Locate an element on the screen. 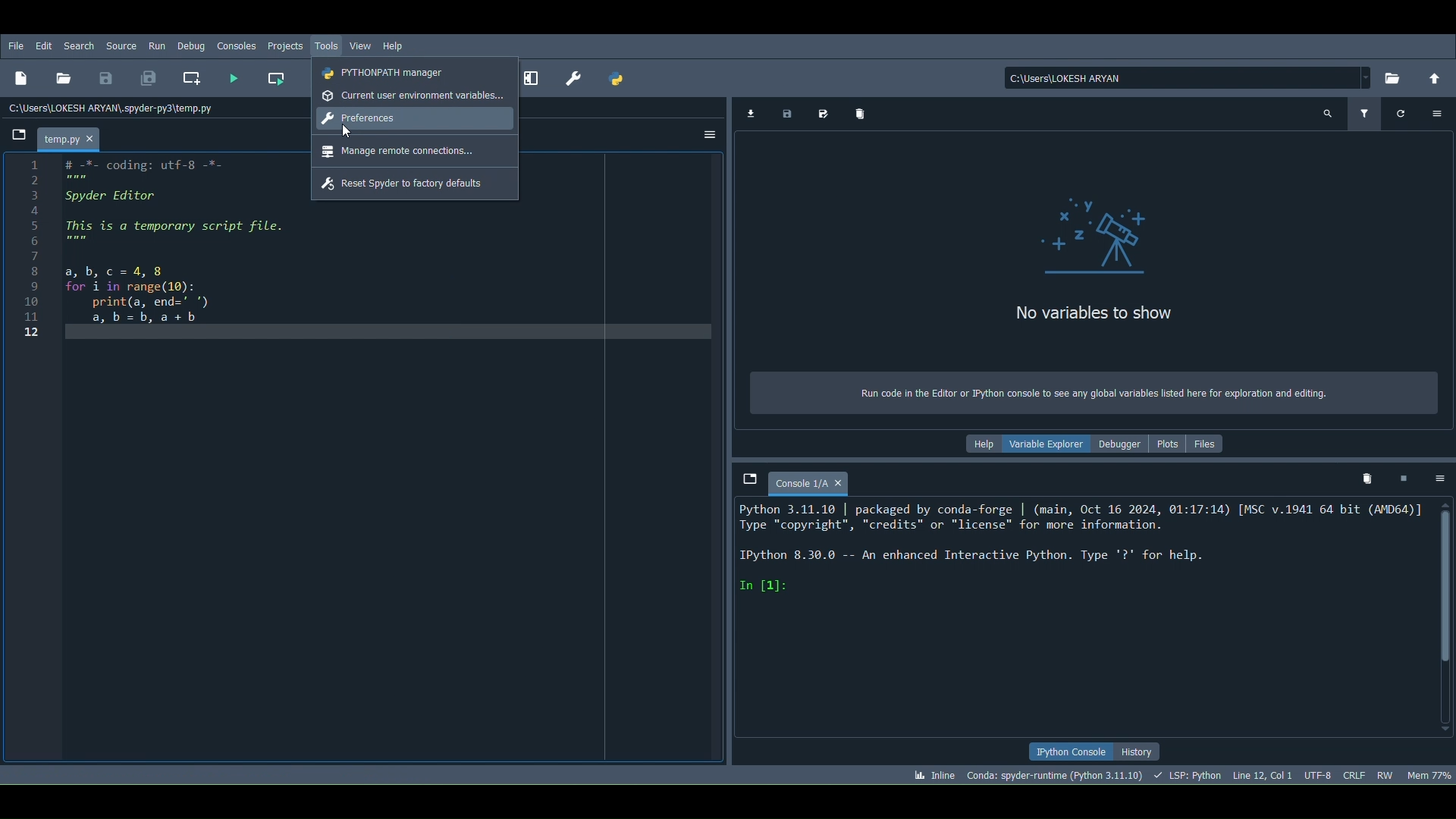 This screenshot has height=819, width=1456. Options is located at coordinates (1435, 111).